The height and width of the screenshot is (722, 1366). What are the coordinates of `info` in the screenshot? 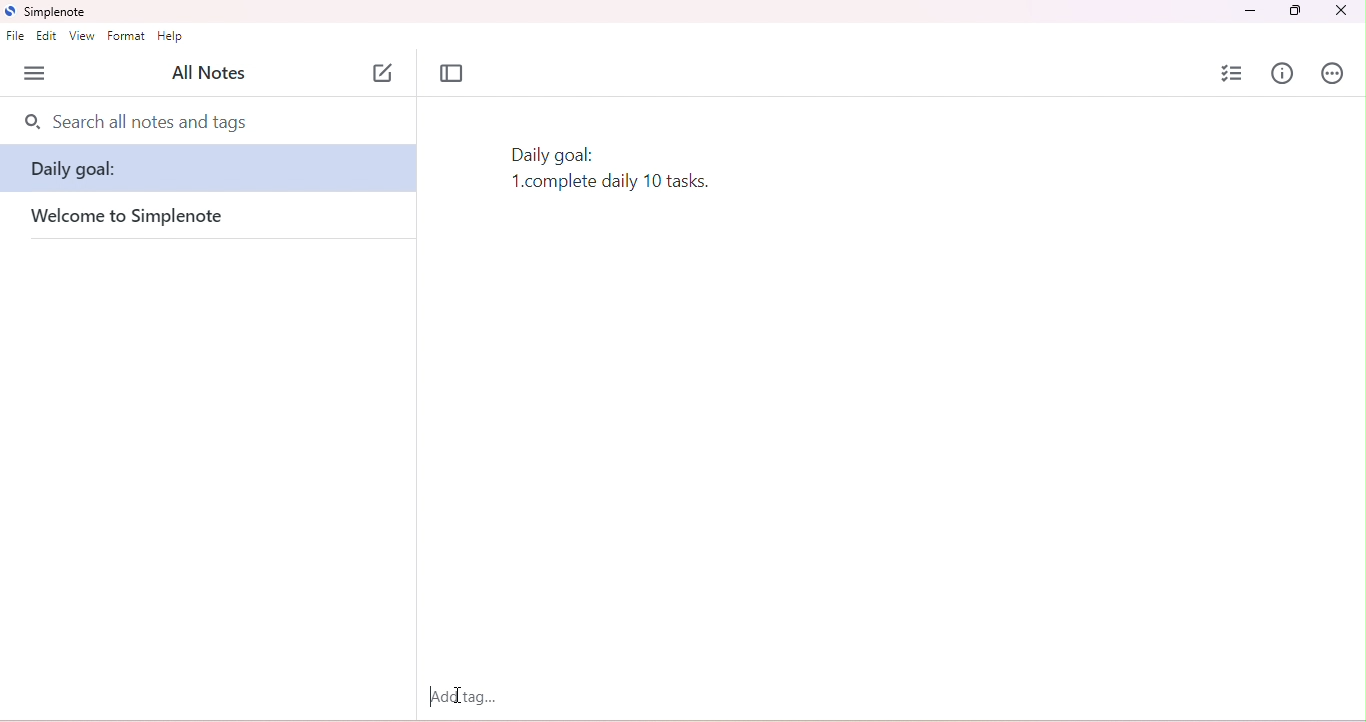 It's located at (1281, 73).